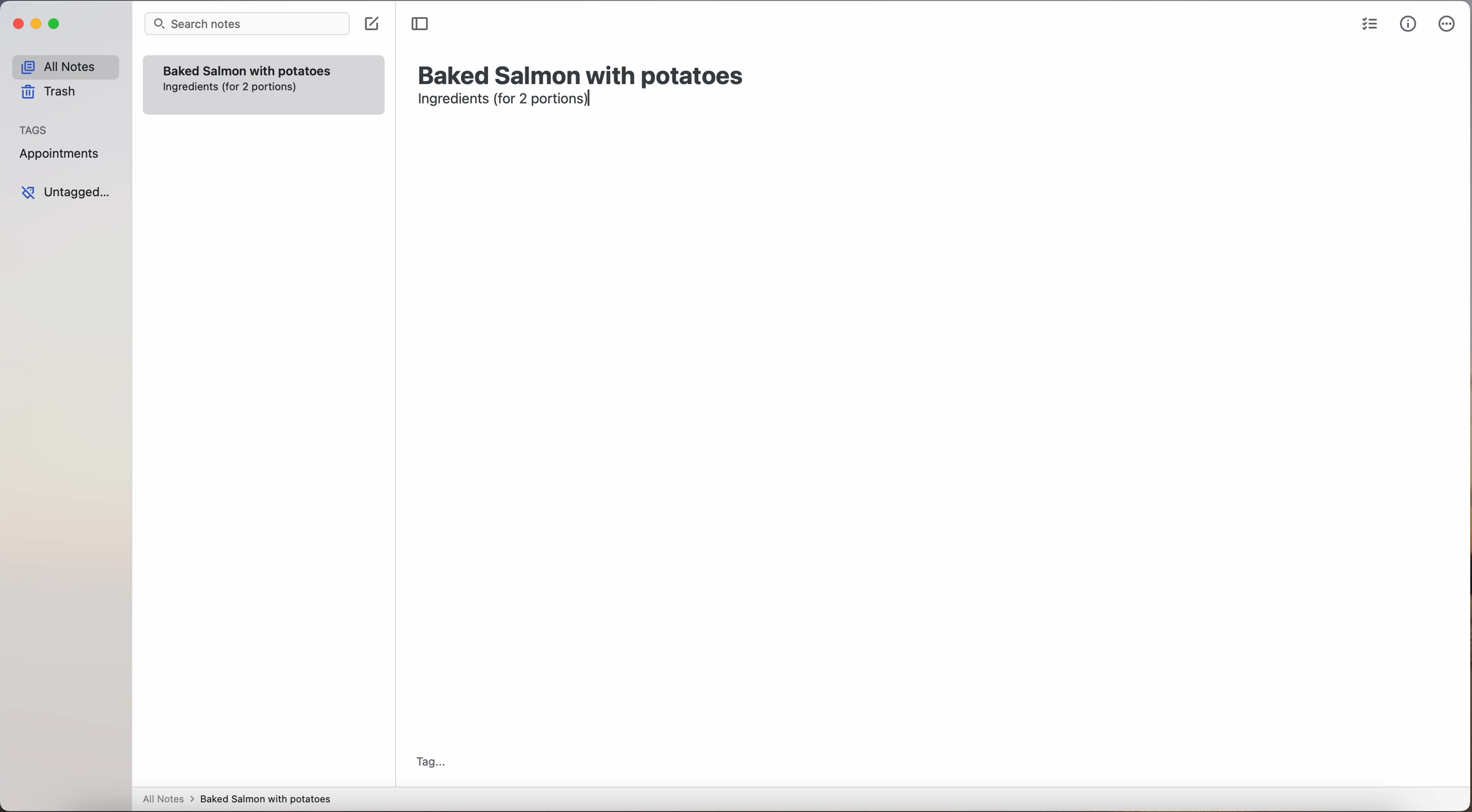  Describe the element at coordinates (61, 151) in the screenshot. I see `appointments tag` at that location.